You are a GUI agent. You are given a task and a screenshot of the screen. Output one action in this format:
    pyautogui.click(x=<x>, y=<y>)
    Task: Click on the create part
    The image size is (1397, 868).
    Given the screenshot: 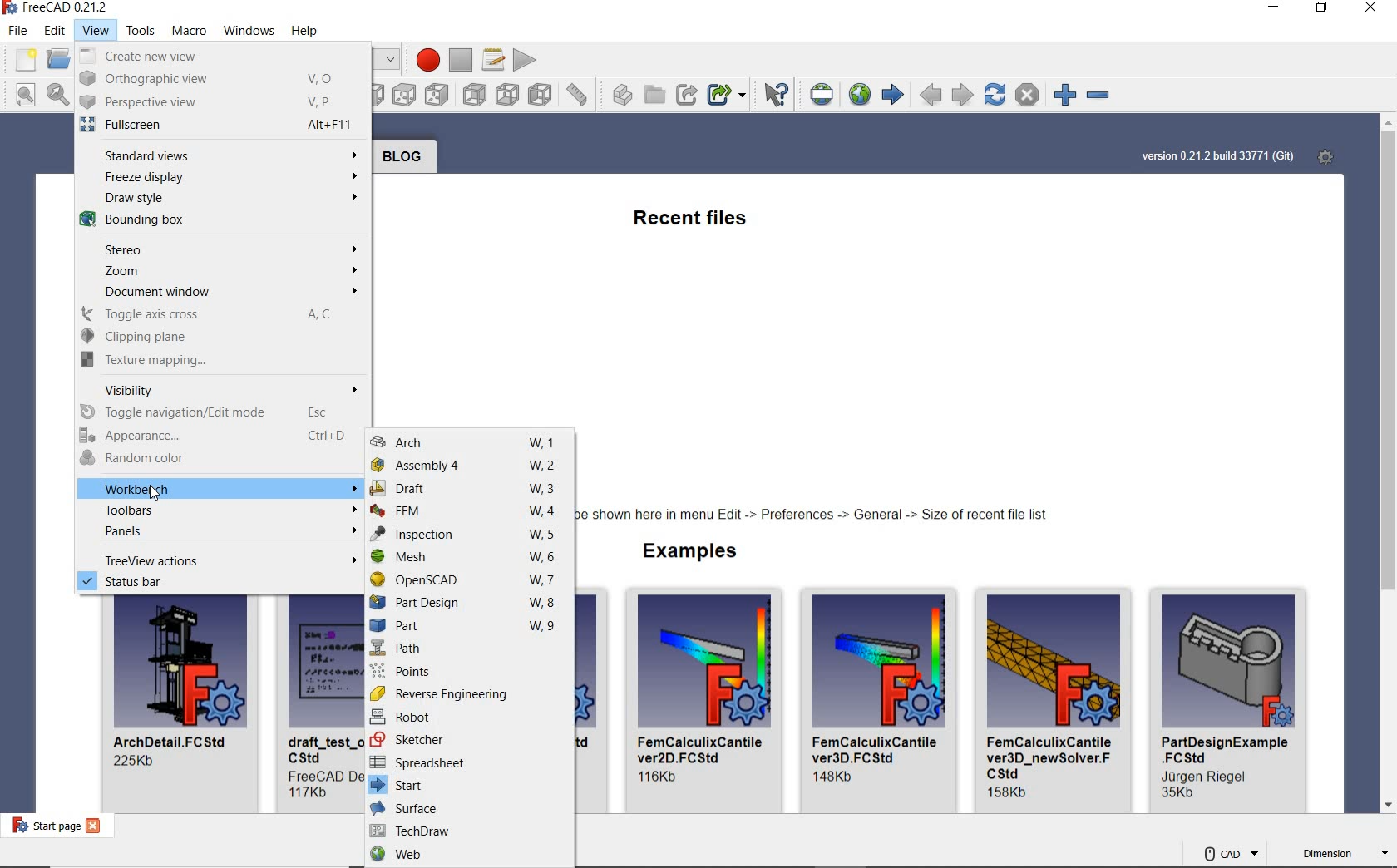 What is the action you would take?
    pyautogui.click(x=618, y=96)
    